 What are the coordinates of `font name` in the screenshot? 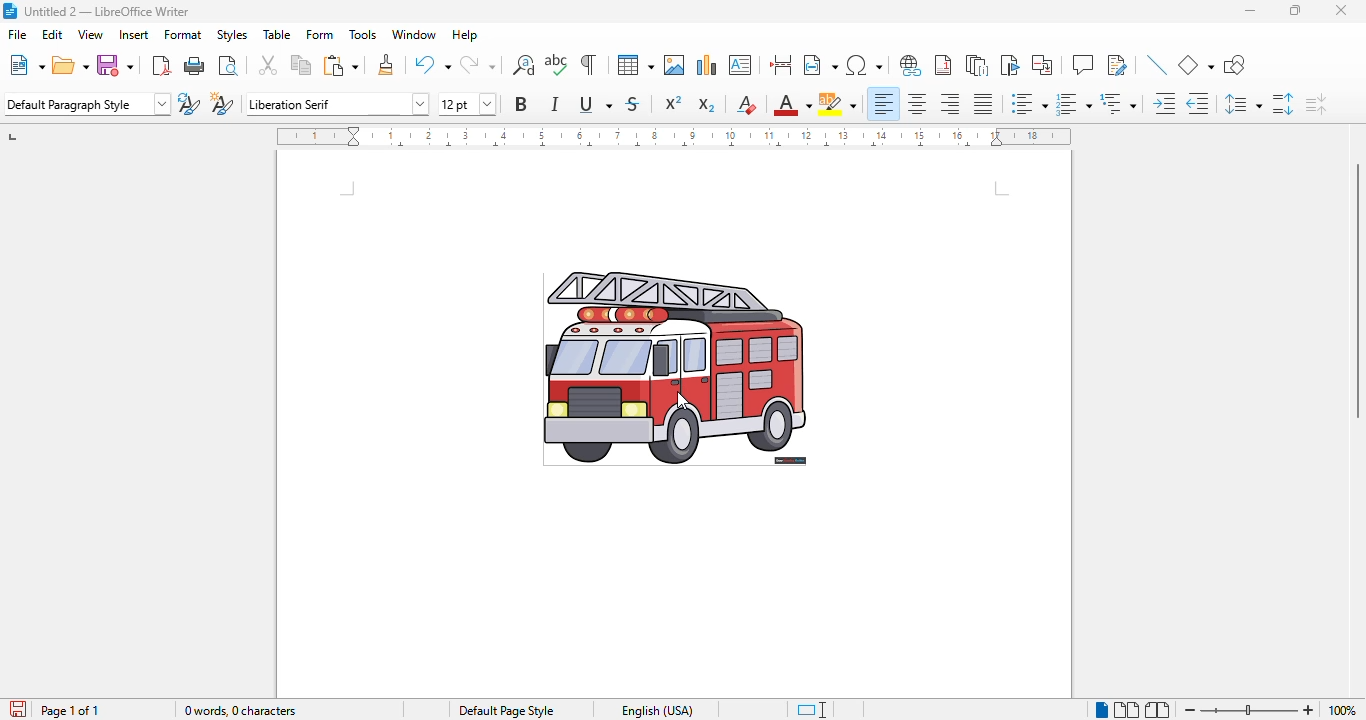 It's located at (336, 104).